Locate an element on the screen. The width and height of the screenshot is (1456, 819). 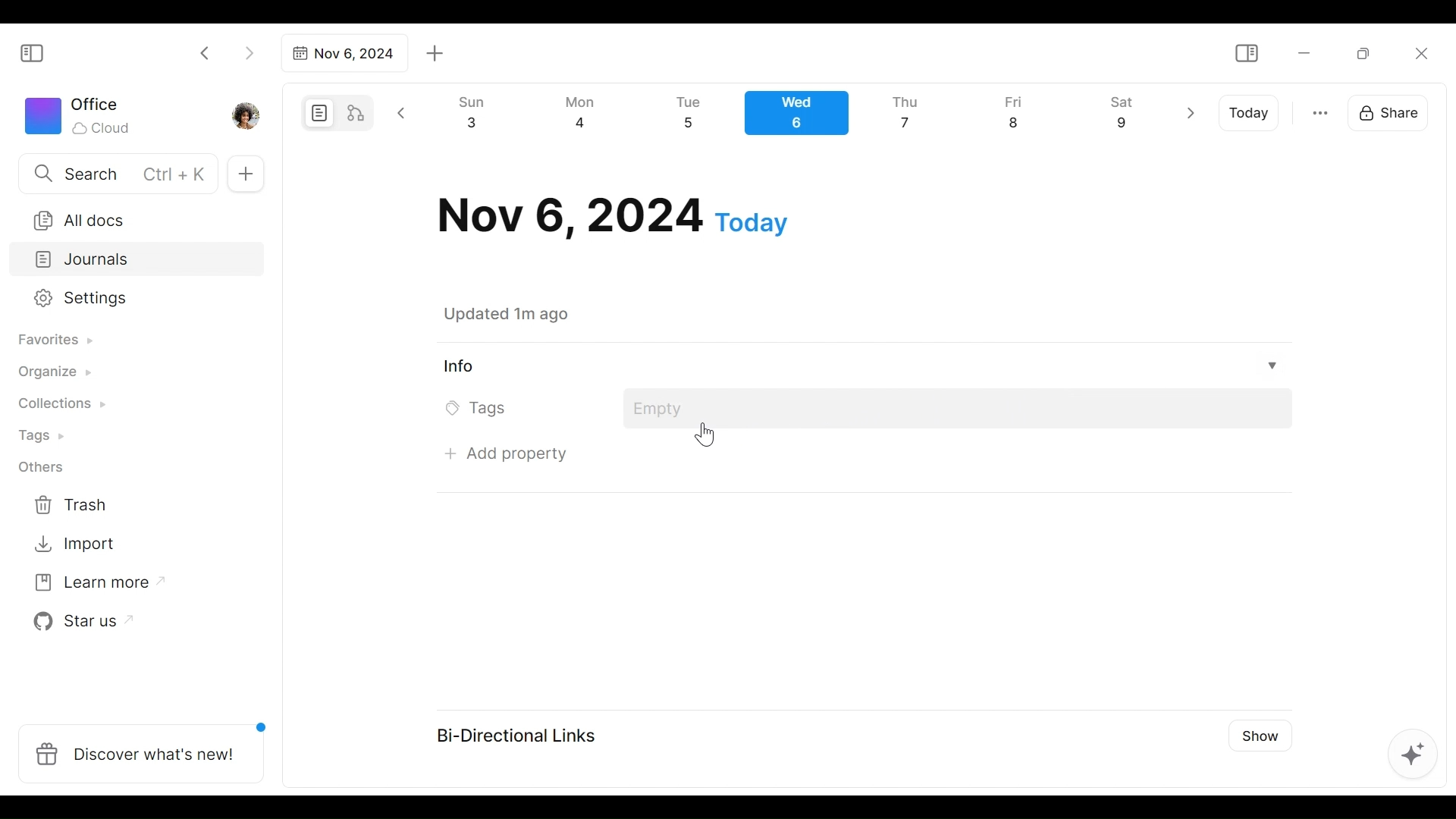
Add new tab is located at coordinates (435, 54).